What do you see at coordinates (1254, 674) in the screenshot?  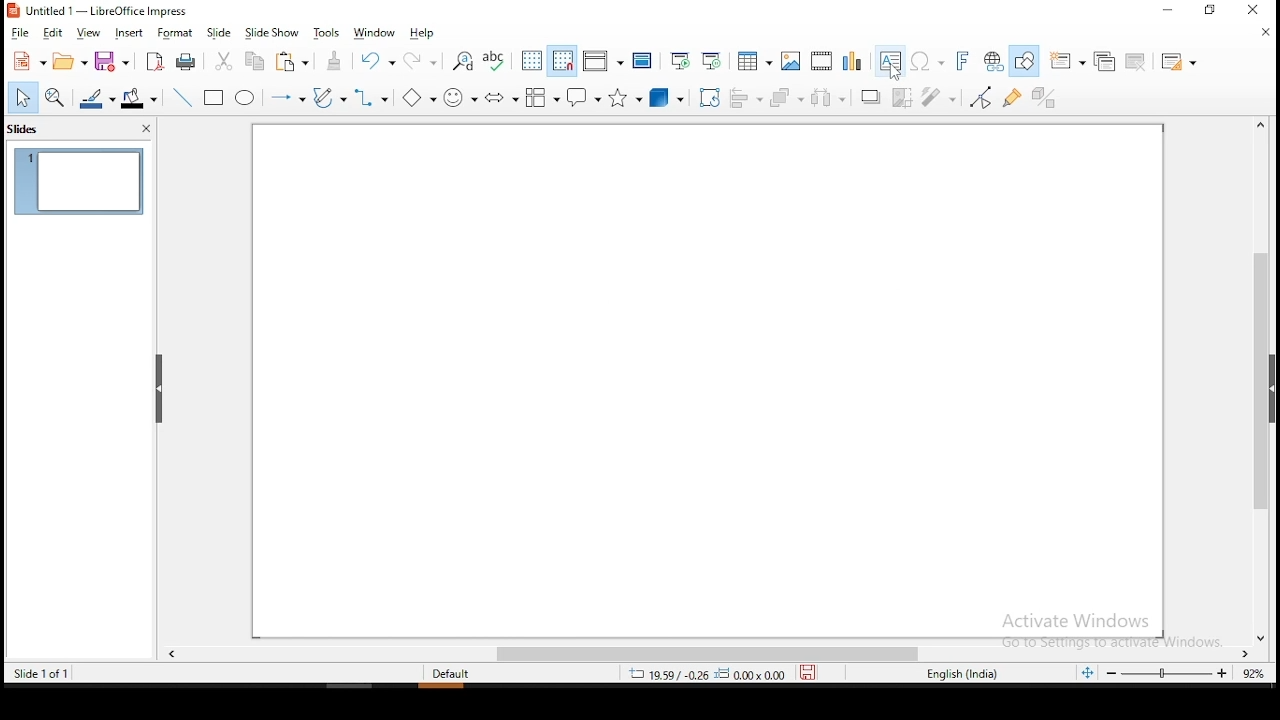 I see `zoom level` at bounding box center [1254, 674].